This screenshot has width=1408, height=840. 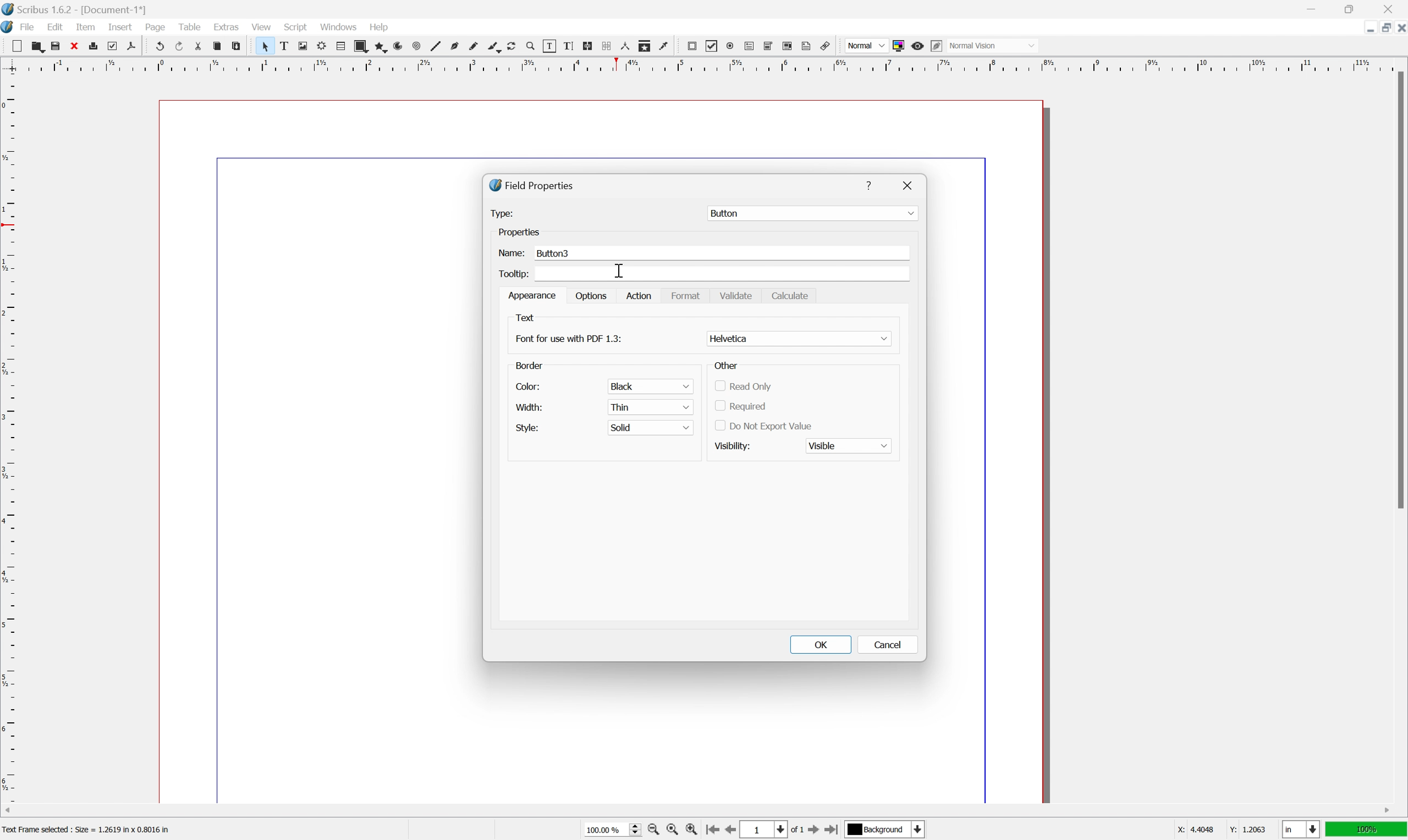 What do you see at coordinates (265, 46) in the screenshot?
I see `select item` at bounding box center [265, 46].